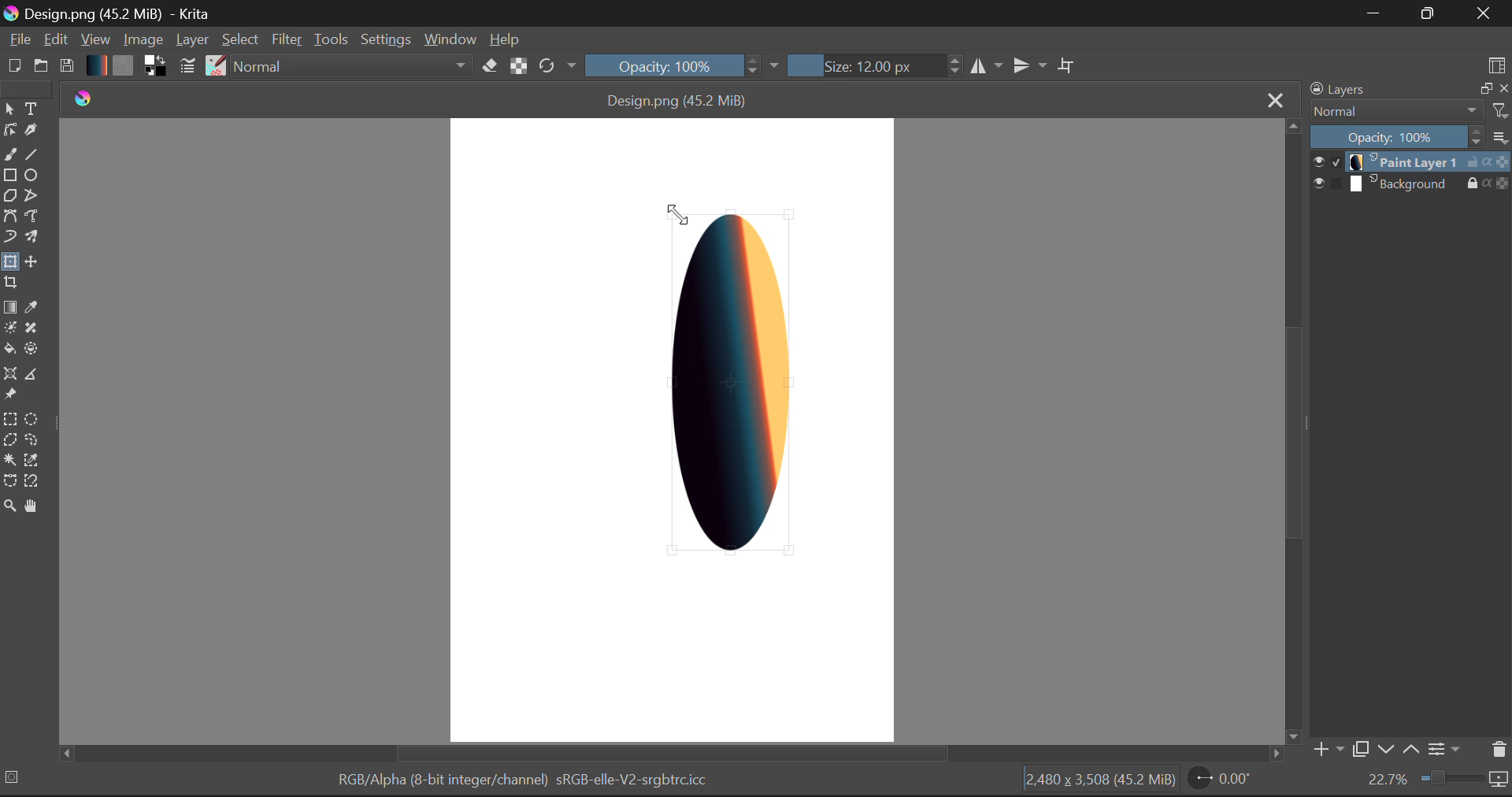 The image size is (1512, 797). What do you see at coordinates (192, 41) in the screenshot?
I see `Layer` at bounding box center [192, 41].